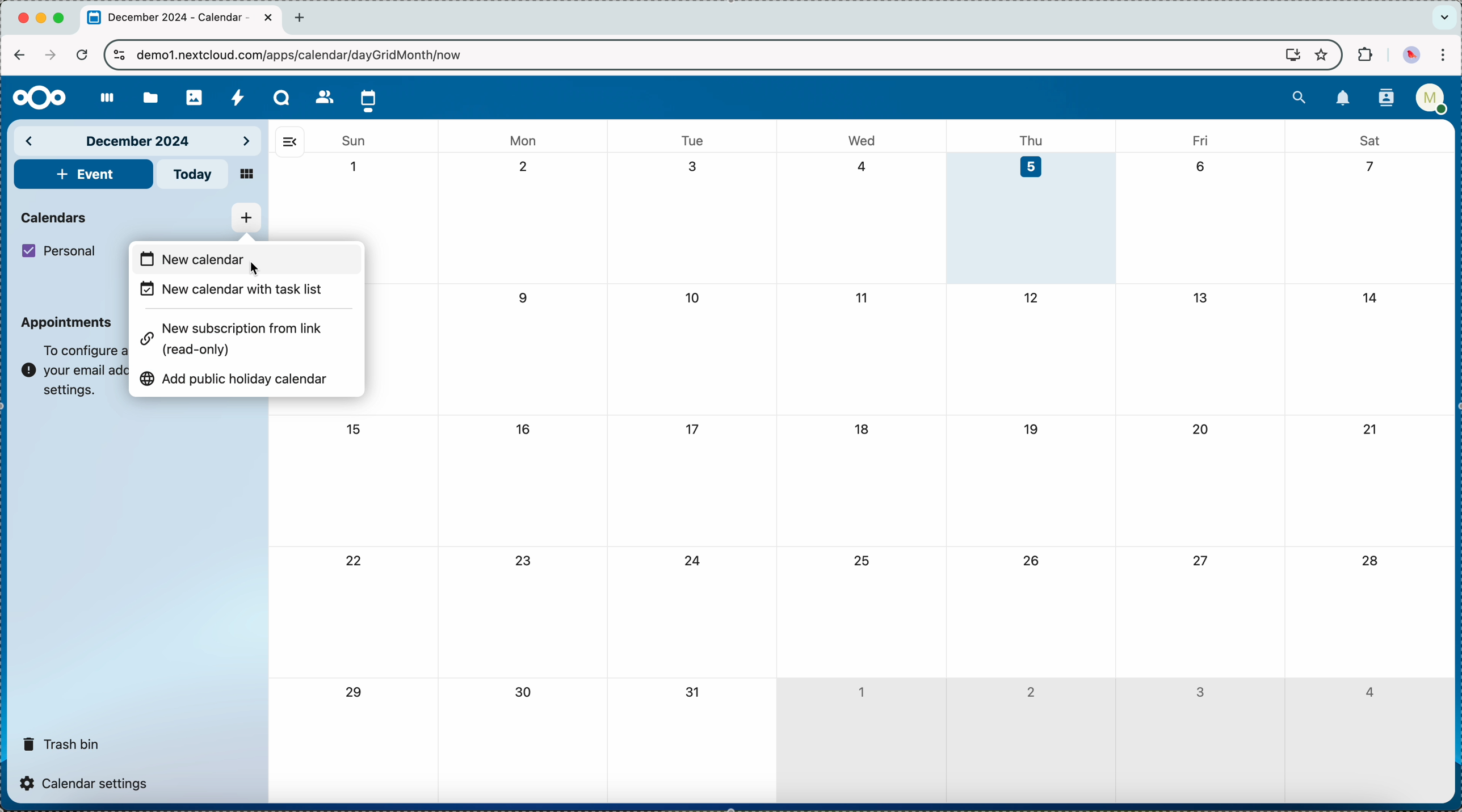 This screenshot has width=1462, height=812. I want to click on thu, so click(1036, 139).